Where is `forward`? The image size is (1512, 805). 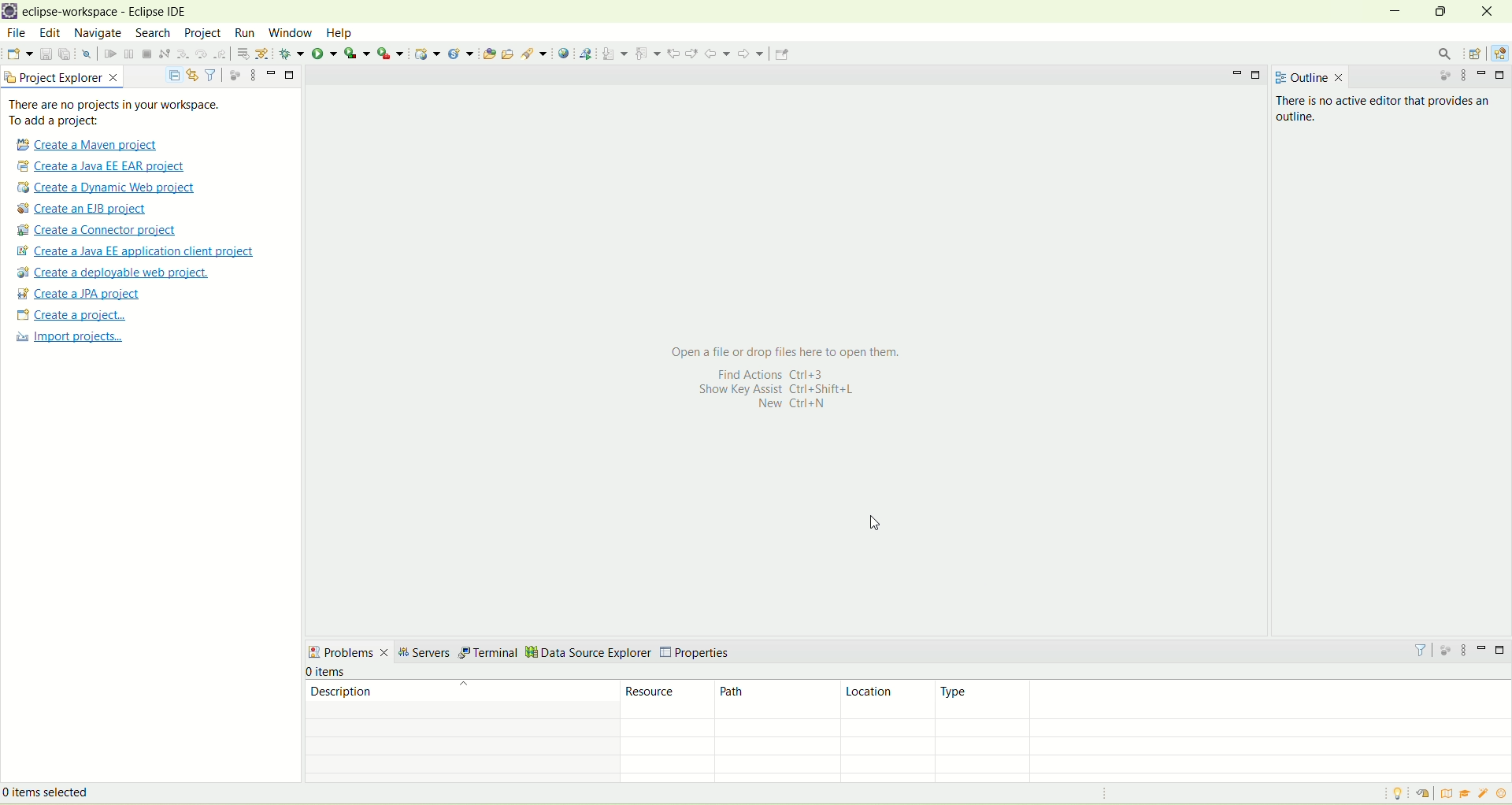
forward is located at coordinates (812, 54).